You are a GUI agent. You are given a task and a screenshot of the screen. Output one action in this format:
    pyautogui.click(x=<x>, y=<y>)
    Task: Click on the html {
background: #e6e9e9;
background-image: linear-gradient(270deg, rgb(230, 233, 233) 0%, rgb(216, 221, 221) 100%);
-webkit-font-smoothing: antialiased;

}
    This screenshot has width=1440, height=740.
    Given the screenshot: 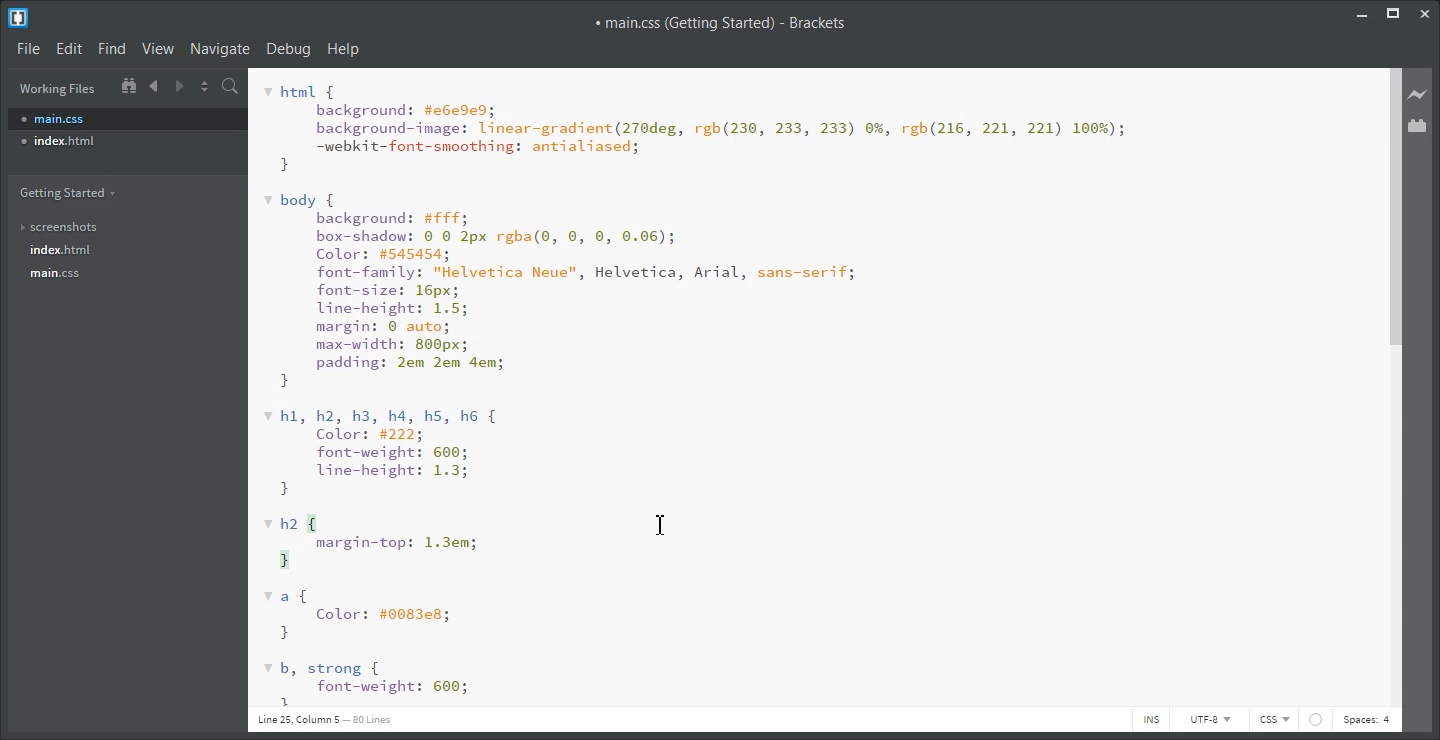 What is the action you would take?
    pyautogui.click(x=697, y=129)
    